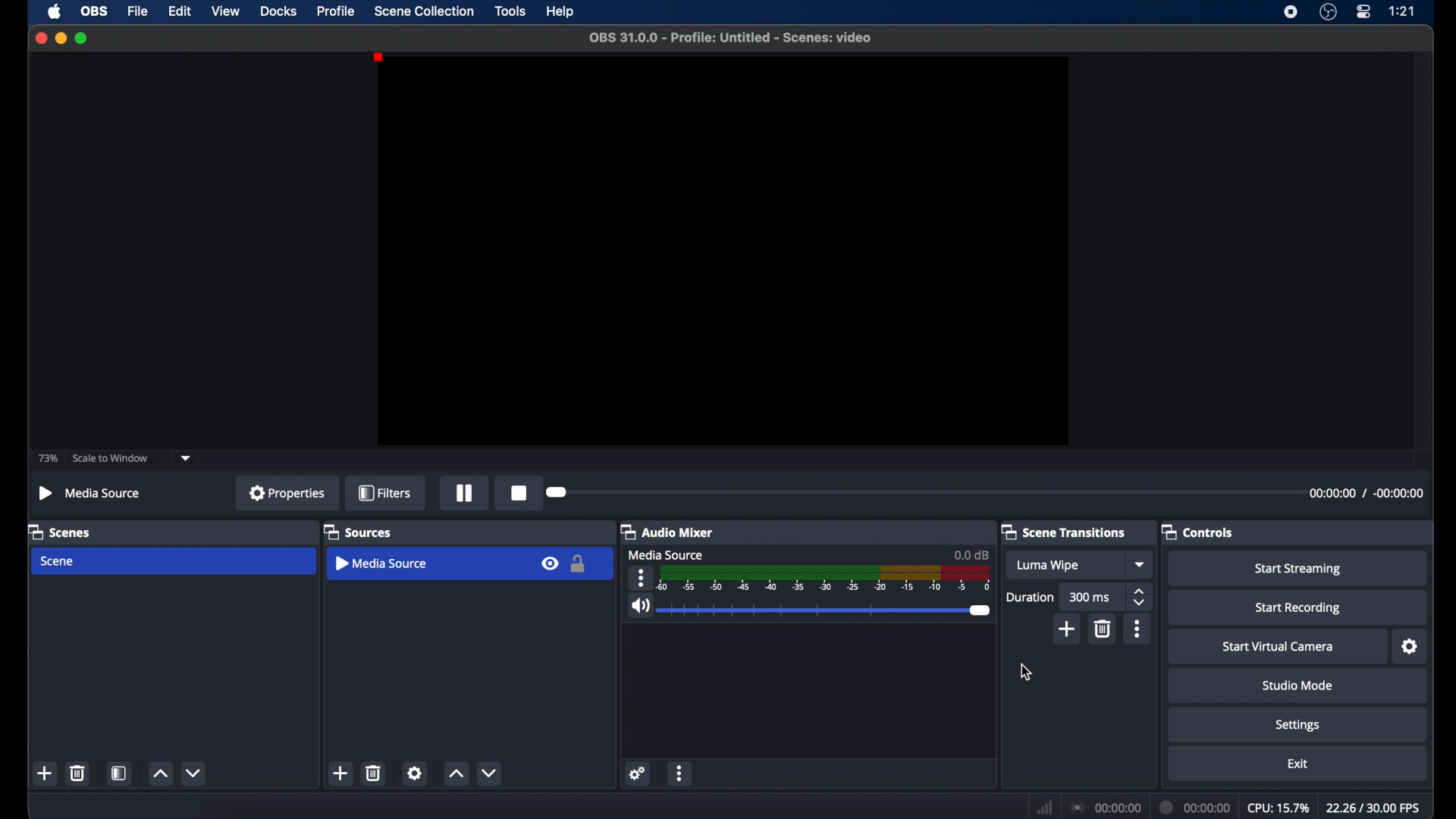 This screenshot has width=1456, height=819. I want to click on screen recorder icon, so click(1291, 12).